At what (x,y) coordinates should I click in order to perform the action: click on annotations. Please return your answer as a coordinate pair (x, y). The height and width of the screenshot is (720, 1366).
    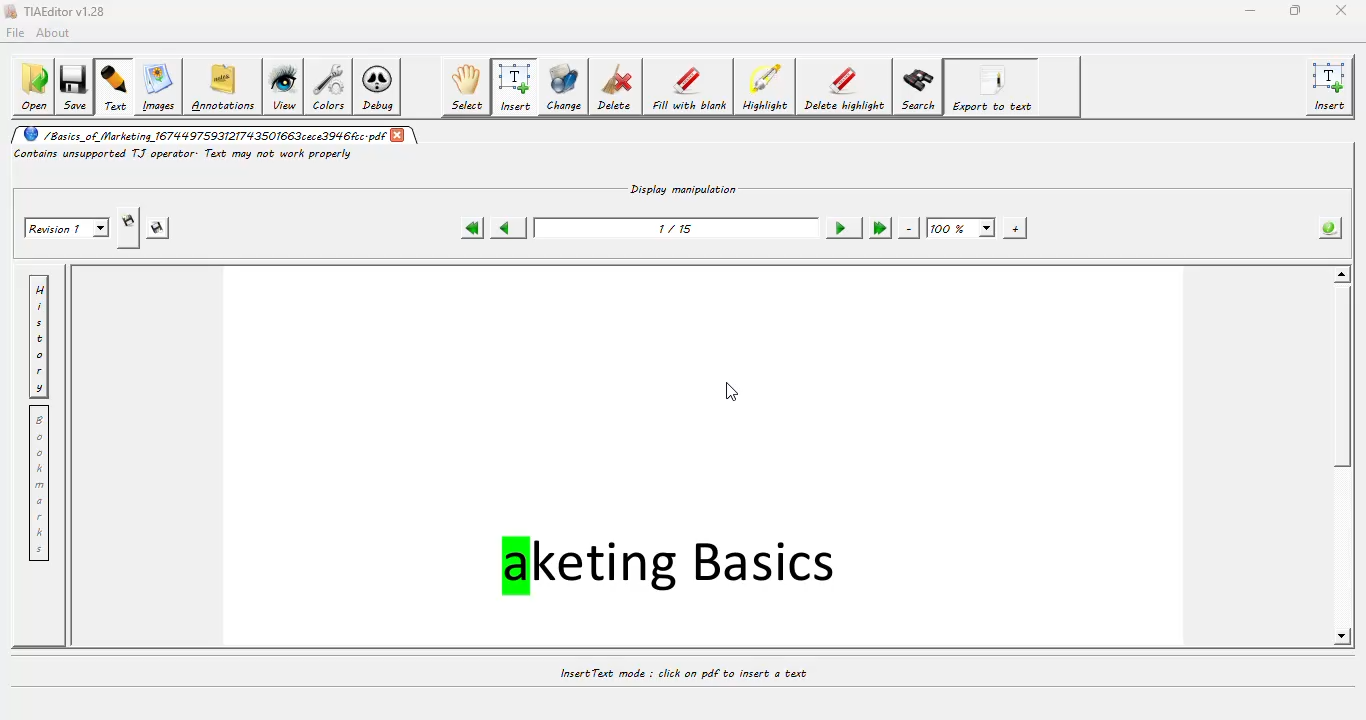
    Looking at the image, I should click on (225, 86).